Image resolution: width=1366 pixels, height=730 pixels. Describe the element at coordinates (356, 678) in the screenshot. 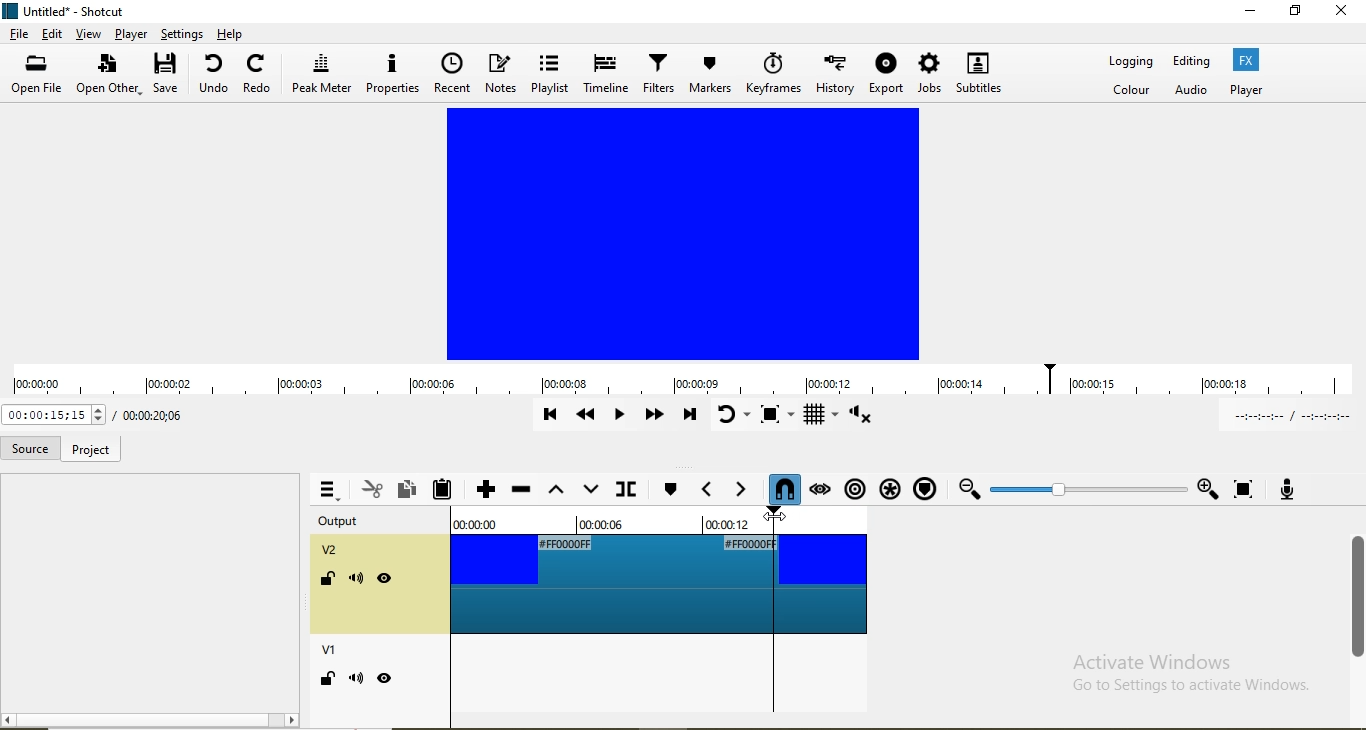

I see `mute` at that location.